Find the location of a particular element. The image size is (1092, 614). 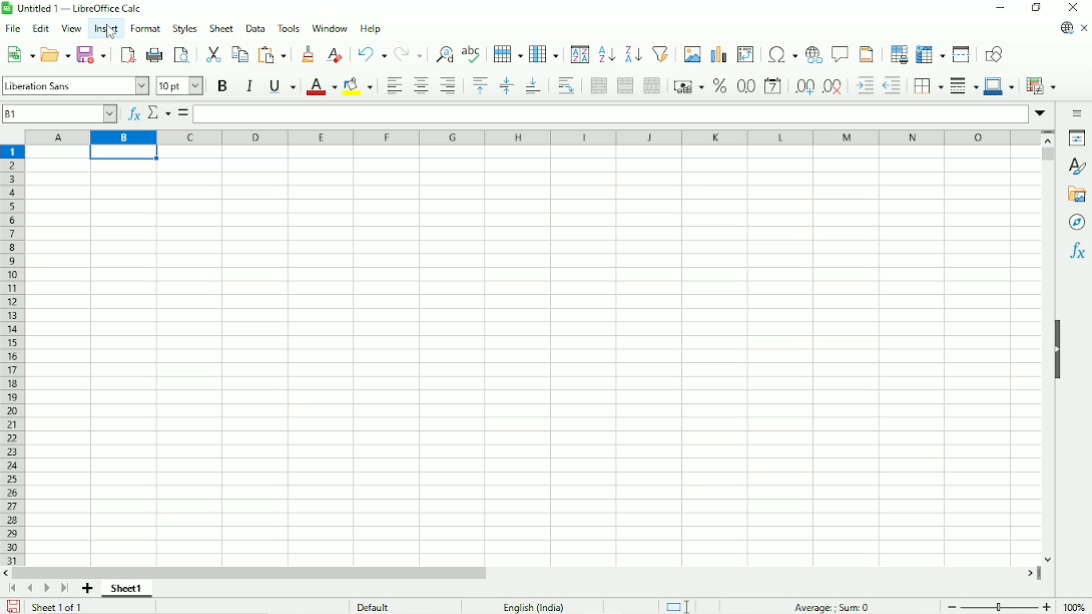

Column is located at coordinates (544, 52).